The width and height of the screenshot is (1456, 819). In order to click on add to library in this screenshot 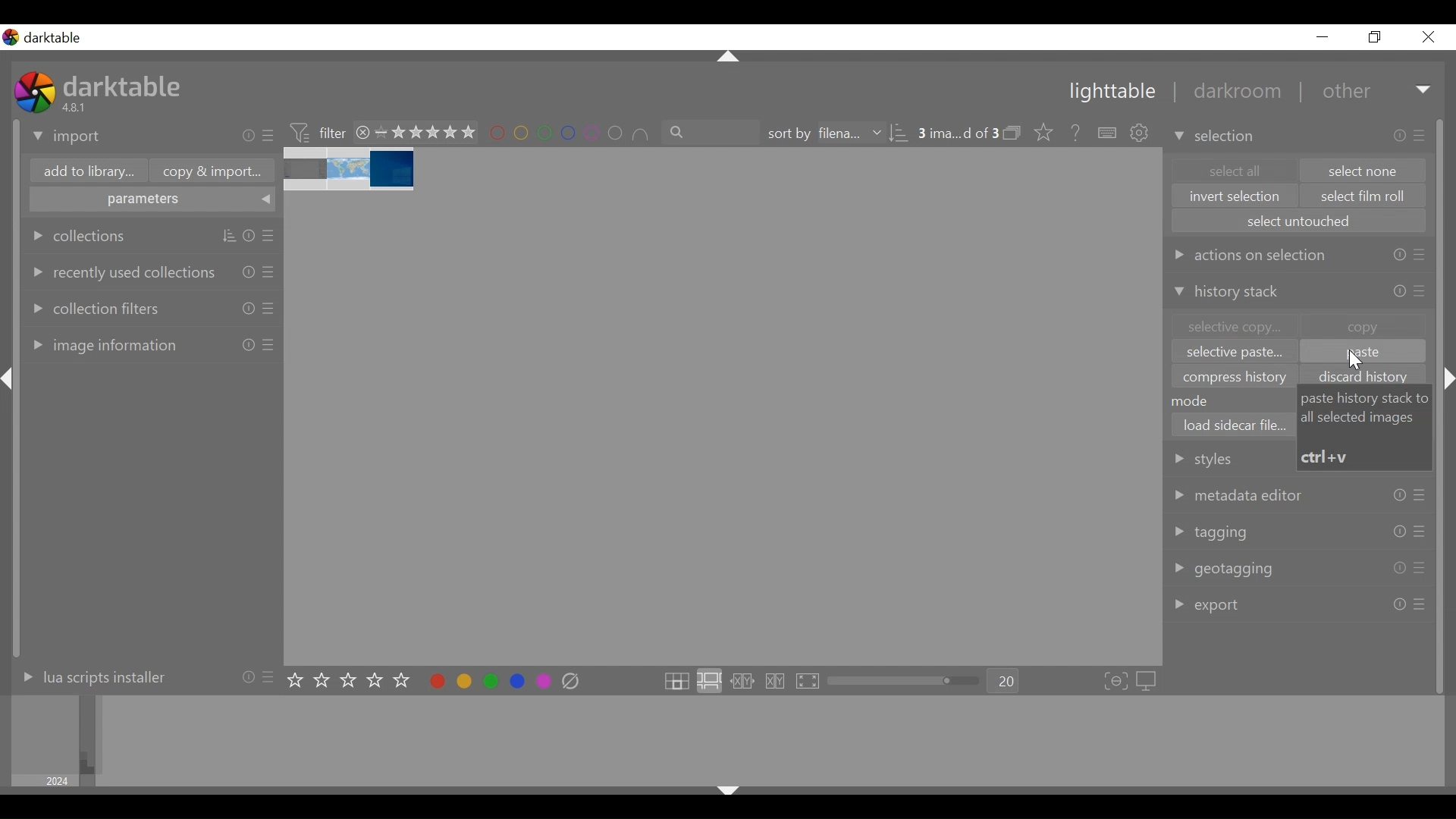, I will do `click(86, 173)`.